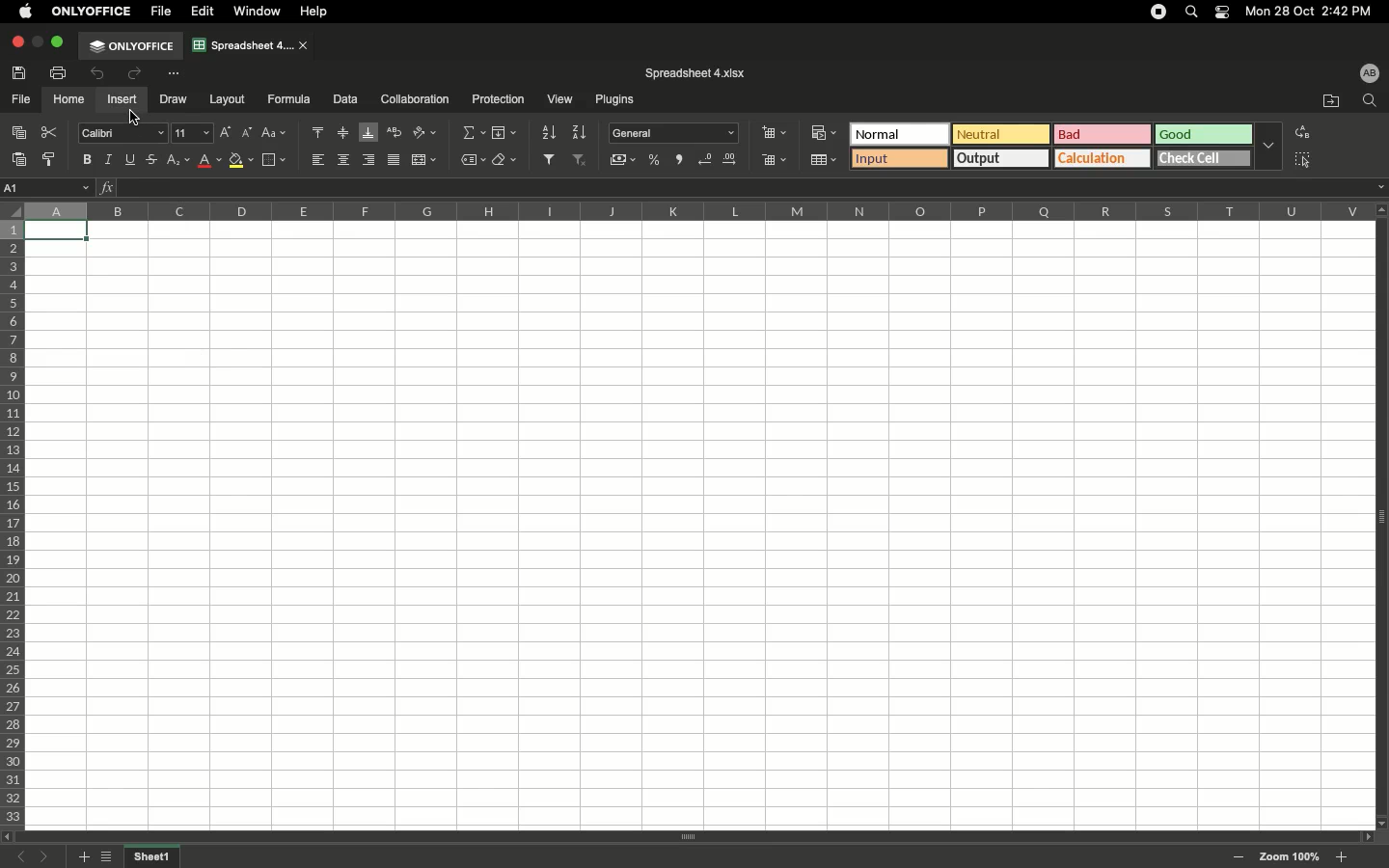 The height and width of the screenshot is (868, 1389). I want to click on Bad, so click(1103, 133).